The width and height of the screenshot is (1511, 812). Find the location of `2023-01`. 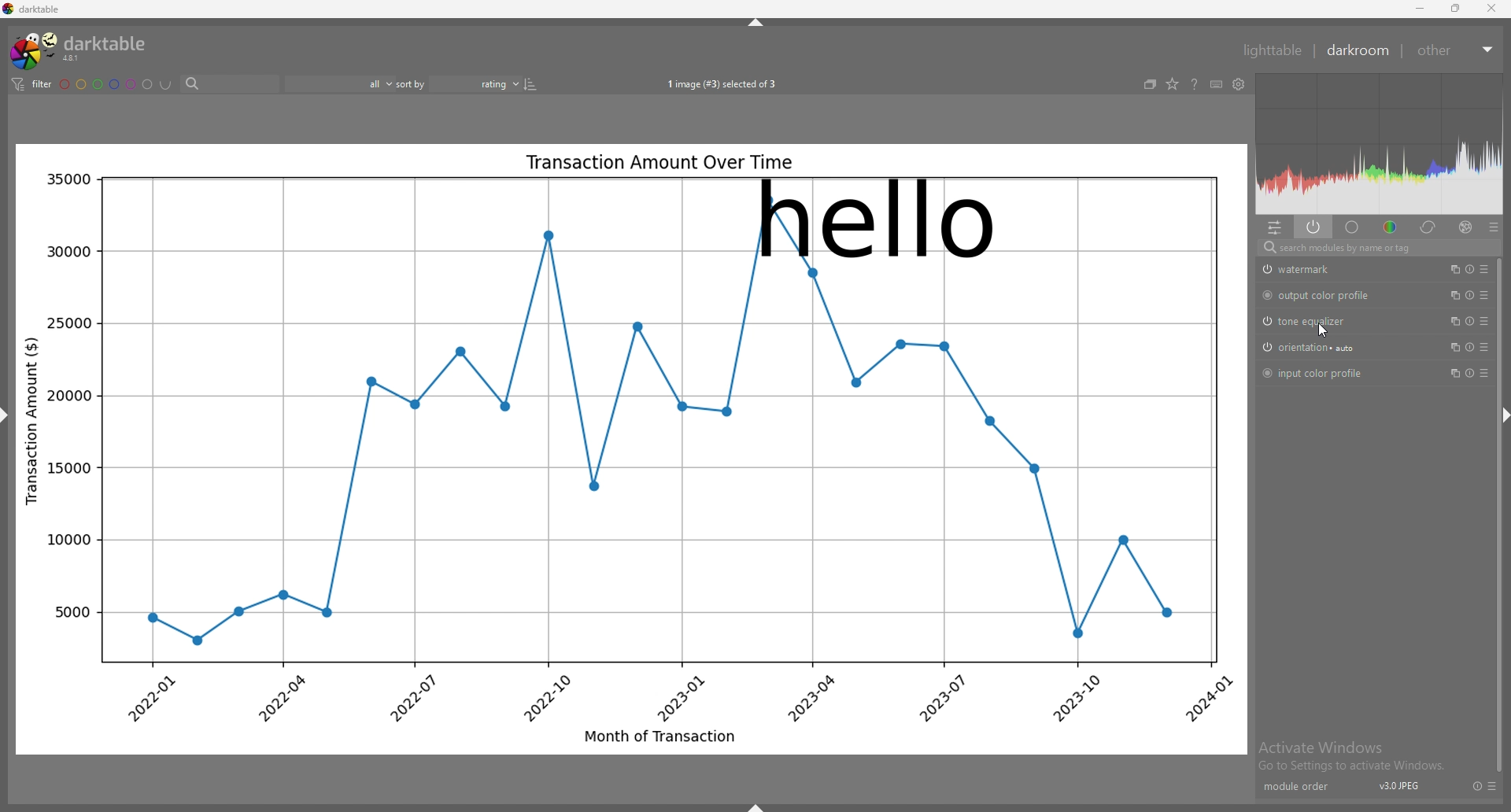

2023-01 is located at coordinates (679, 698).